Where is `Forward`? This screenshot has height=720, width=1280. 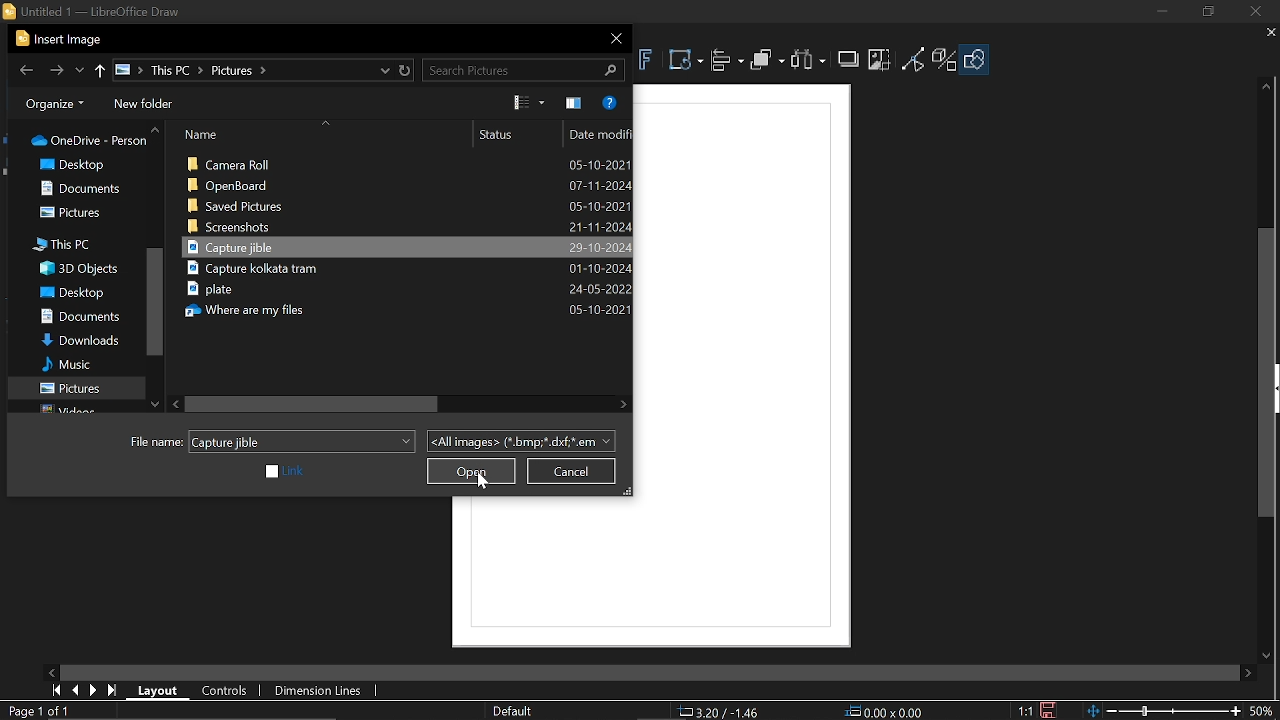 Forward is located at coordinates (56, 71).